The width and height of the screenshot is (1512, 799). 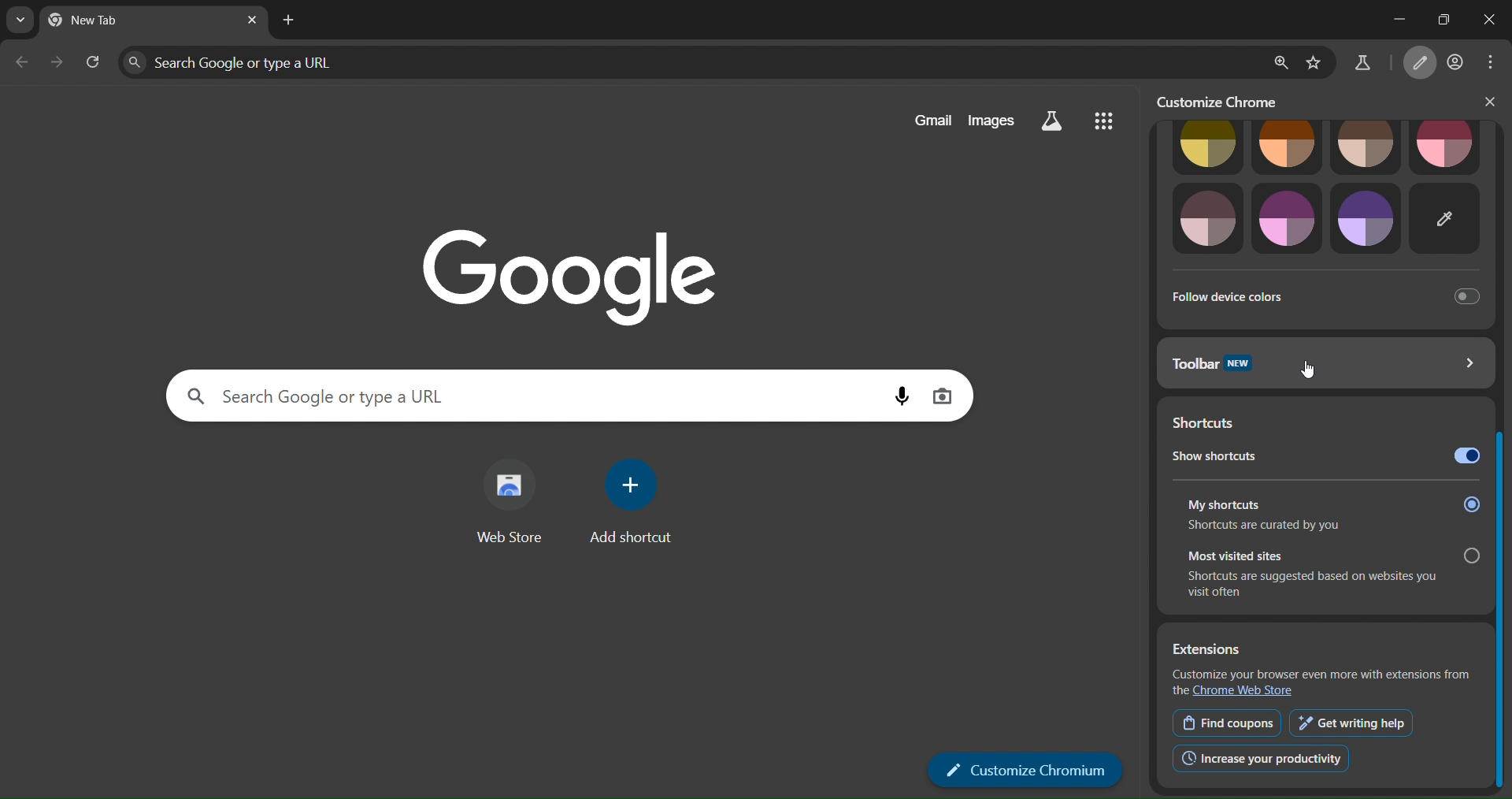 What do you see at coordinates (1210, 219) in the screenshot?
I see `theme` at bounding box center [1210, 219].